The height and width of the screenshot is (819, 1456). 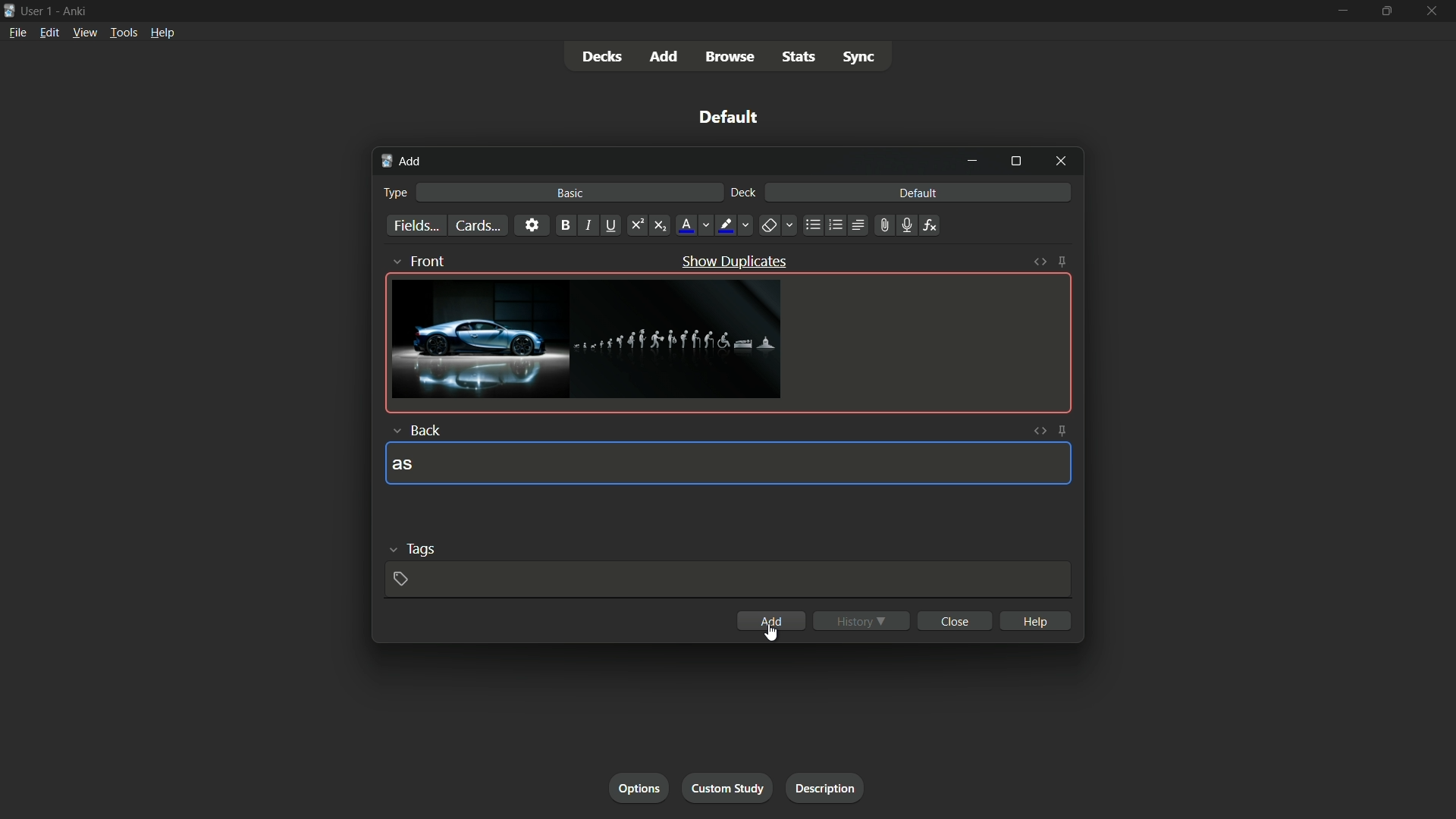 I want to click on close, so click(x=955, y=620).